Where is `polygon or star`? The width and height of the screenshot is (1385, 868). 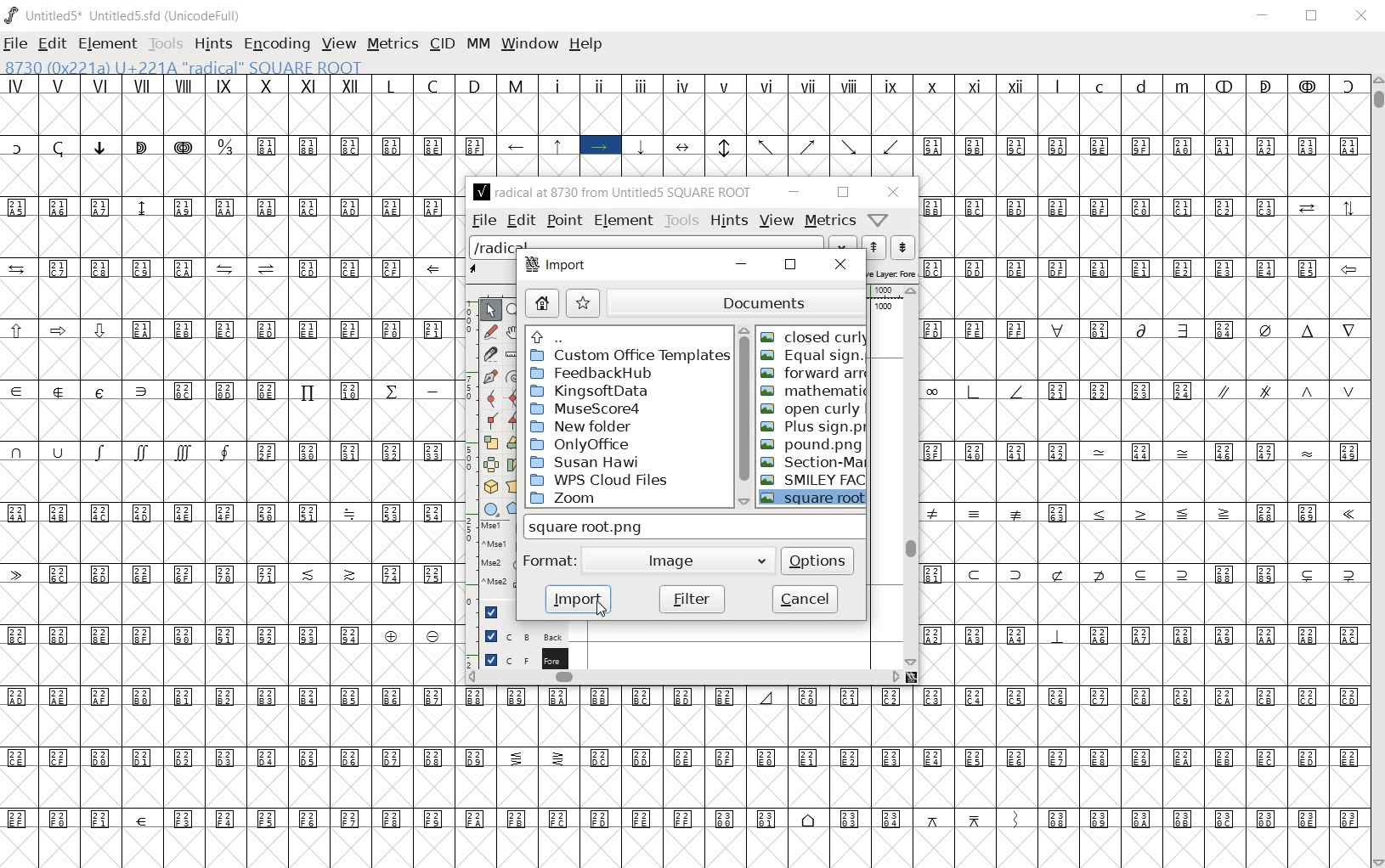 polygon or star is located at coordinates (517, 509).